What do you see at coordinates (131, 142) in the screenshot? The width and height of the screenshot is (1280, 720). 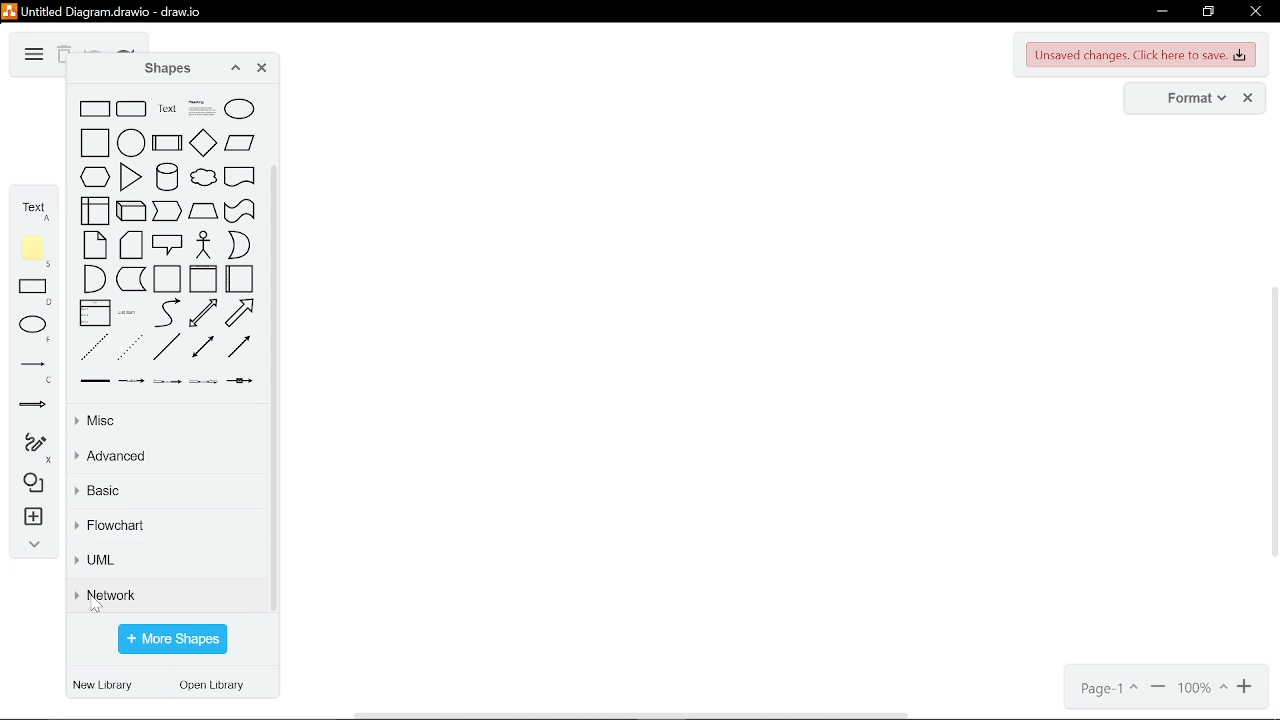 I see `circle` at bounding box center [131, 142].